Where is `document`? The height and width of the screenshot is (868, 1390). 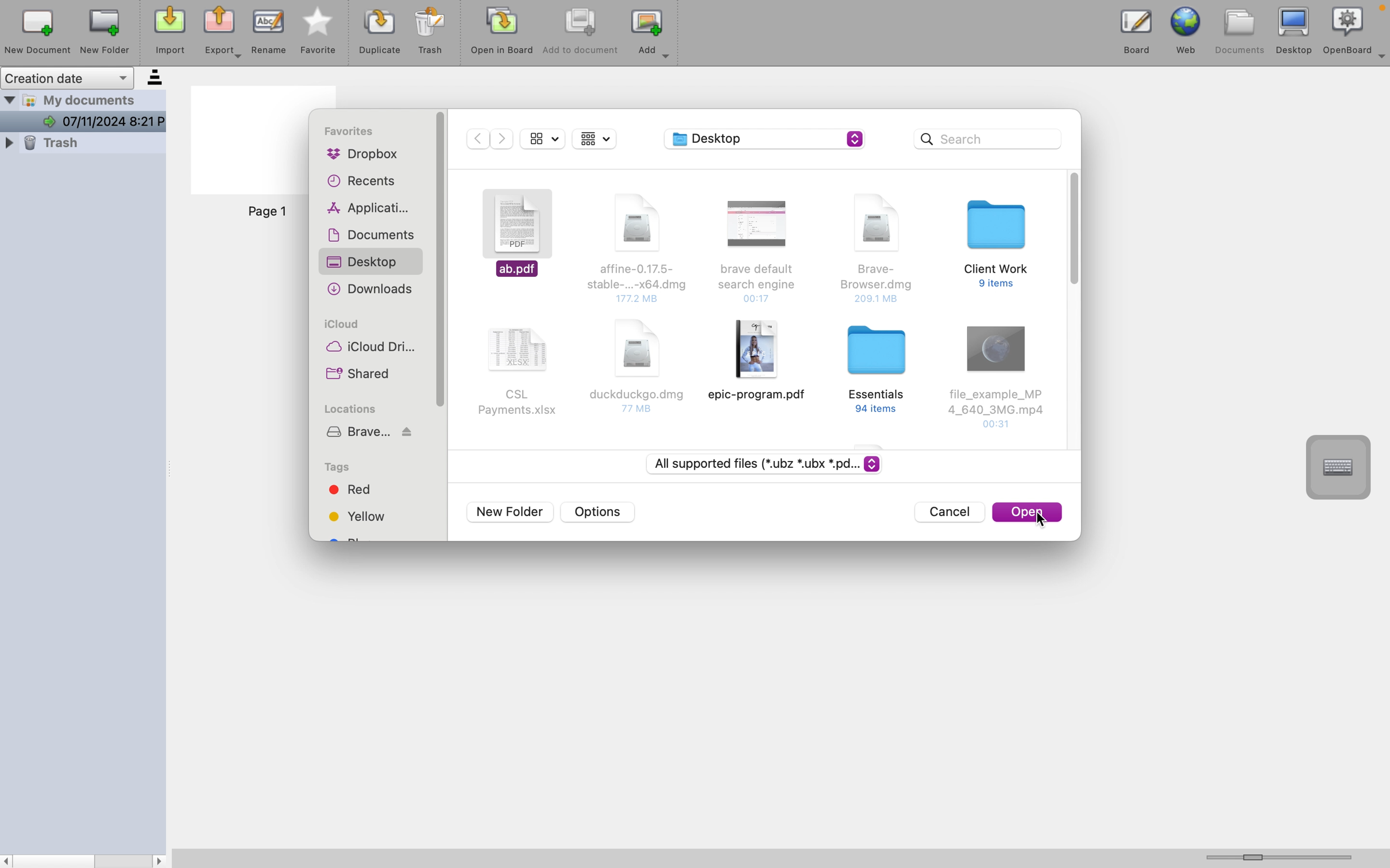
document is located at coordinates (1000, 245).